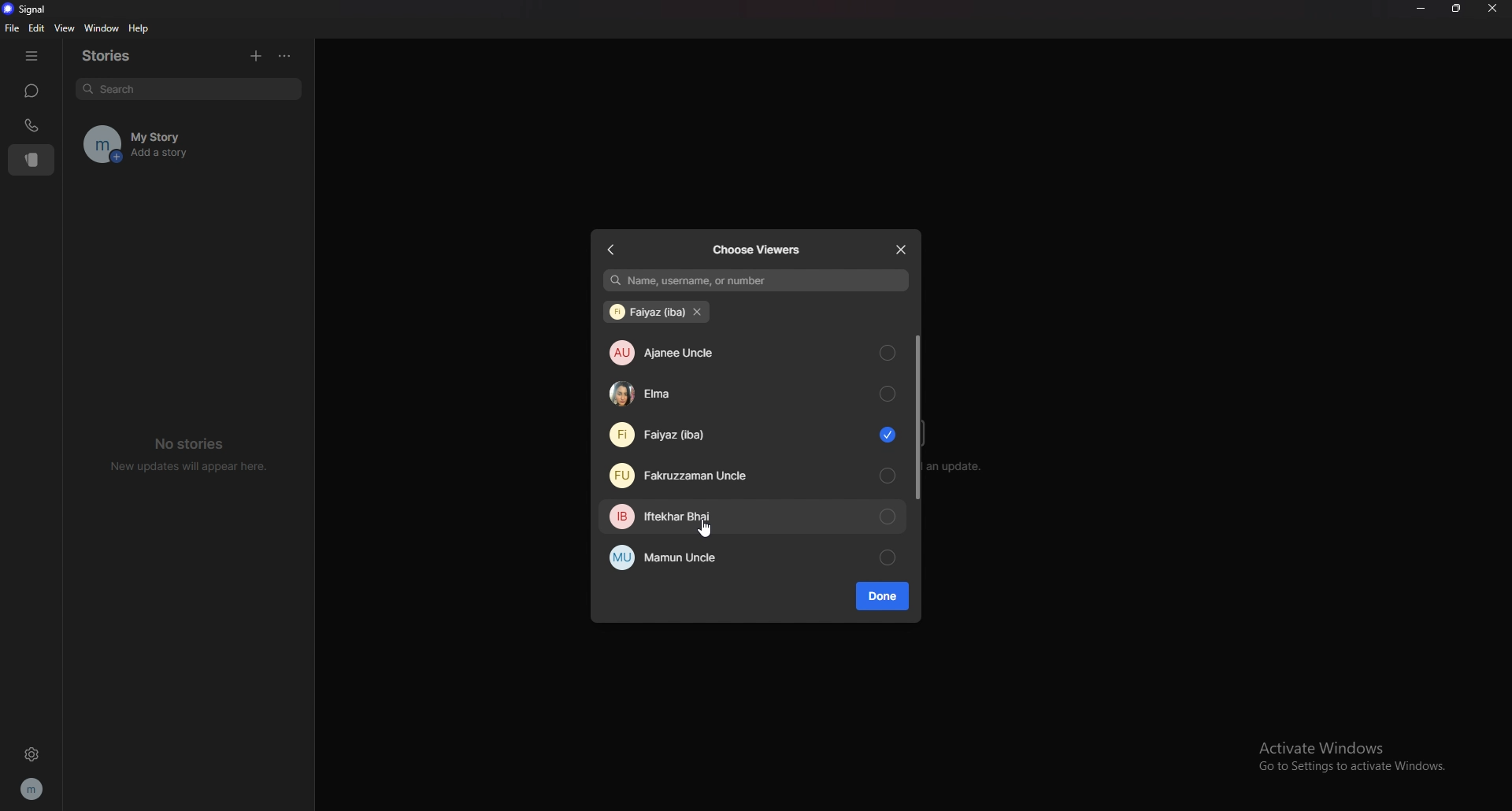 This screenshot has height=811, width=1512. Describe the element at coordinates (102, 28) in the screenshot. I see `window` at that location.